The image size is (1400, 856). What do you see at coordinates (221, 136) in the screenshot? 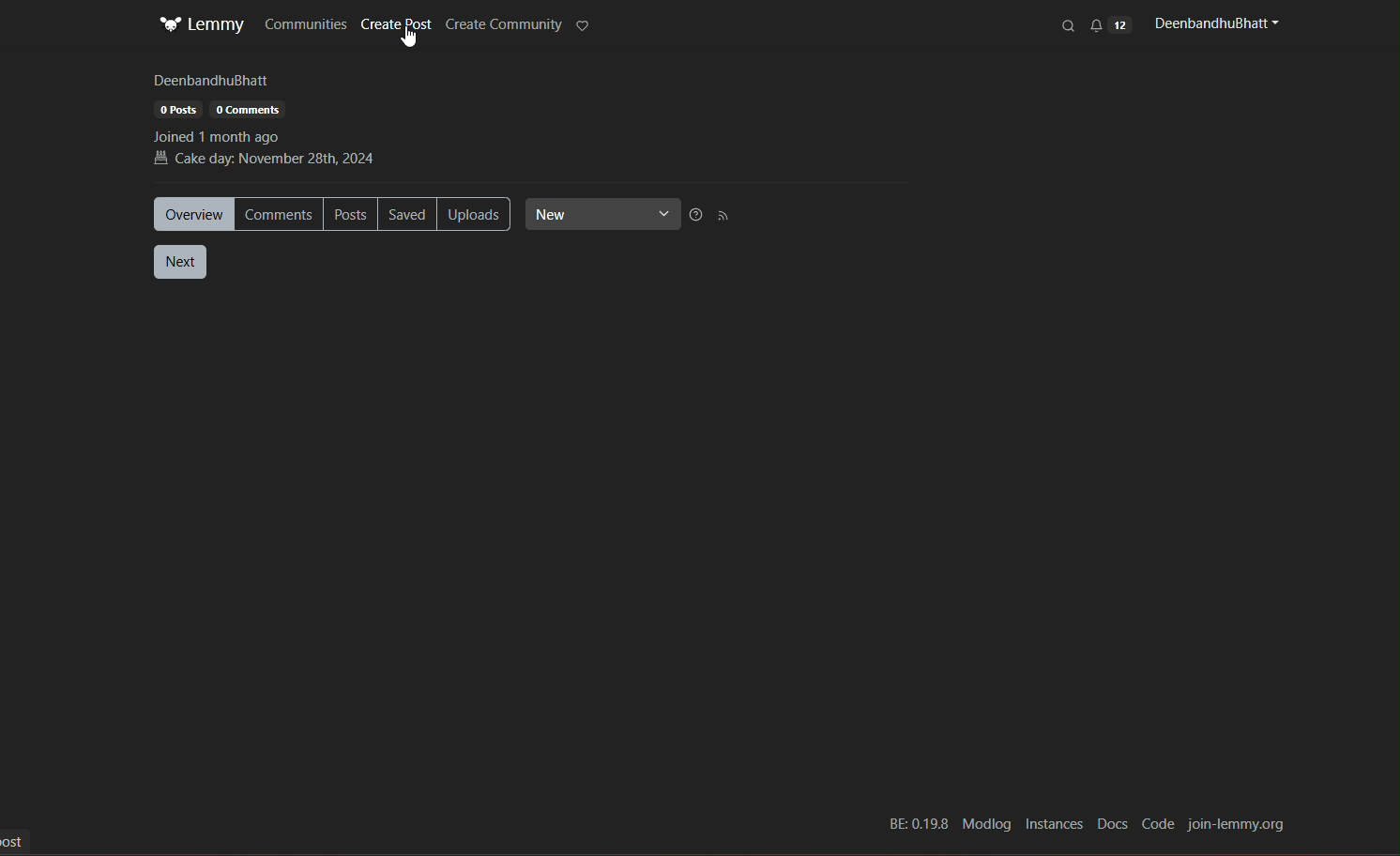
I see `Joined 1 month ago` at bounding box center [221, 136].